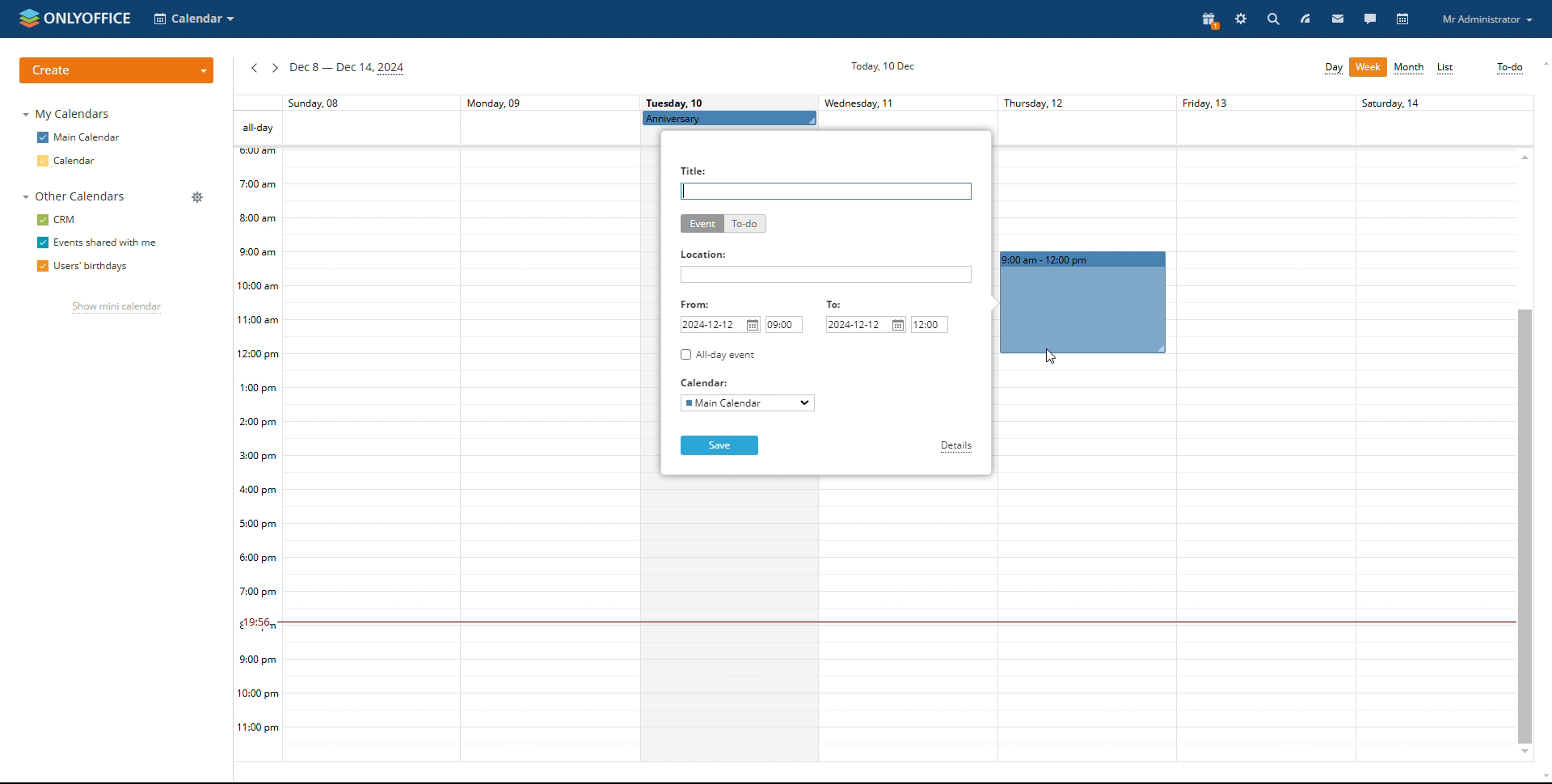  Describe the element at coordinates (1076, 102) in the screenshot. I see `Thursday, 12` at that location.